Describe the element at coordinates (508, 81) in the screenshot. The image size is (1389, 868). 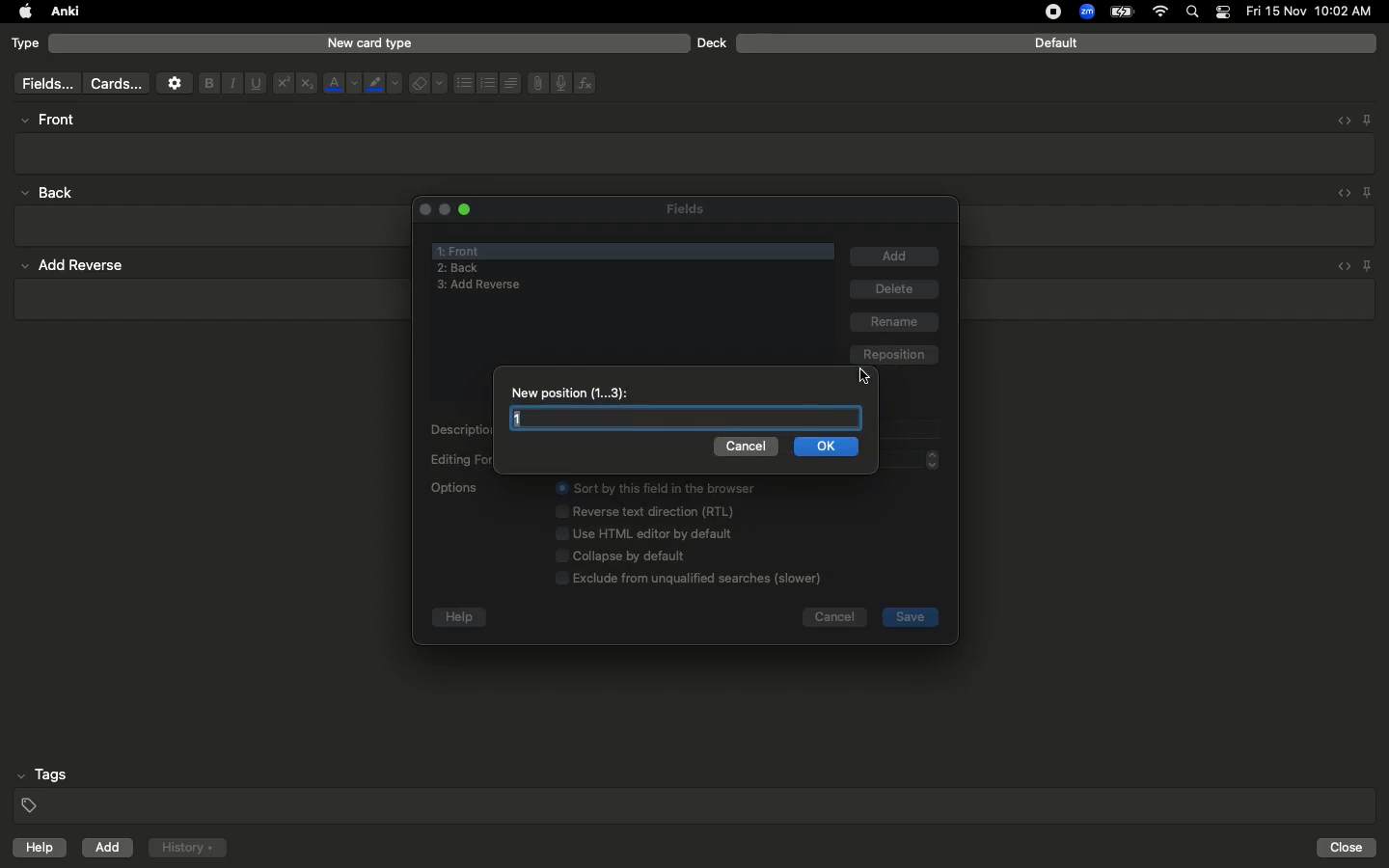
I see `Alignment` at that location.